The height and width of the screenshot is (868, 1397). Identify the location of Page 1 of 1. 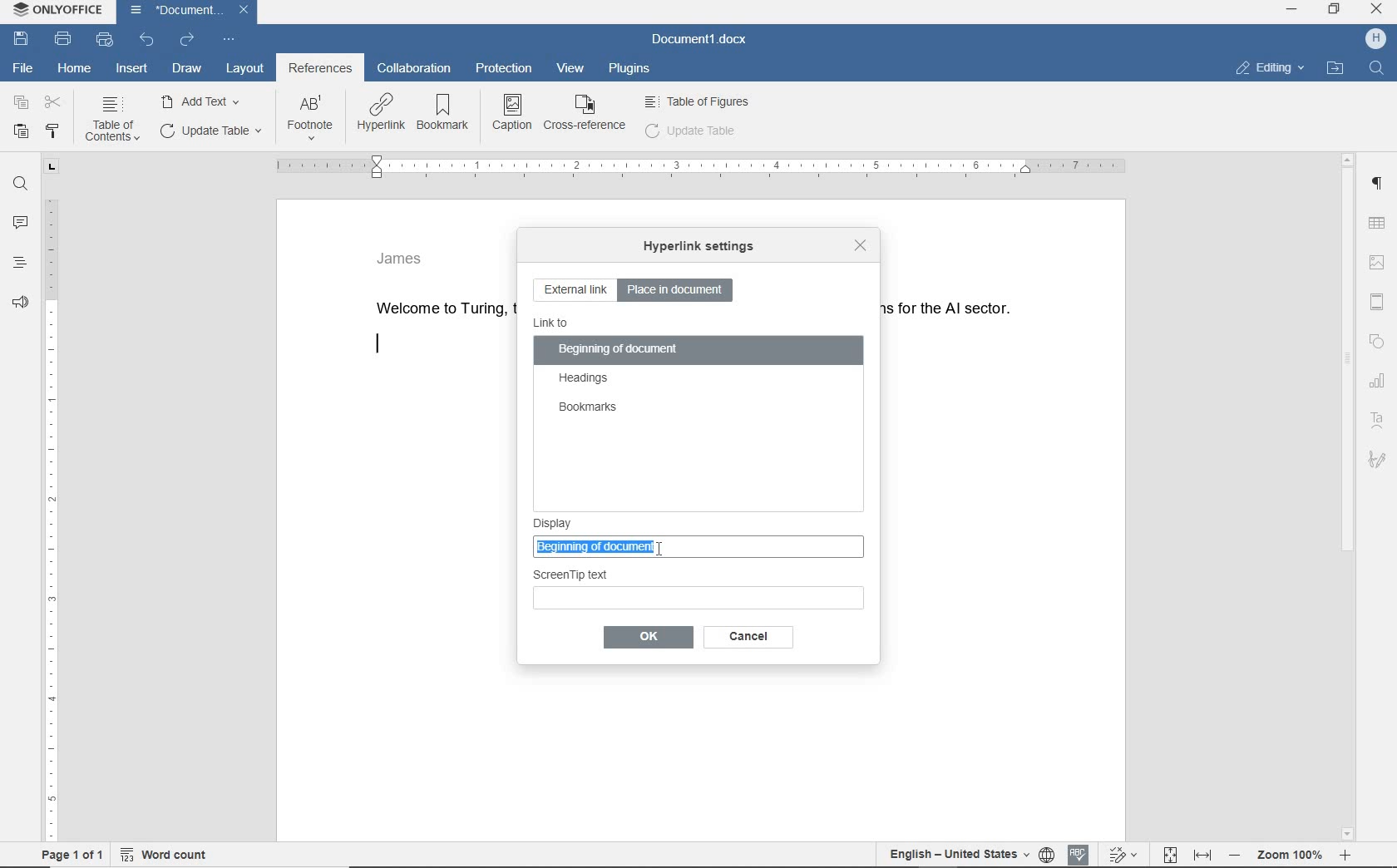
(67, 856).